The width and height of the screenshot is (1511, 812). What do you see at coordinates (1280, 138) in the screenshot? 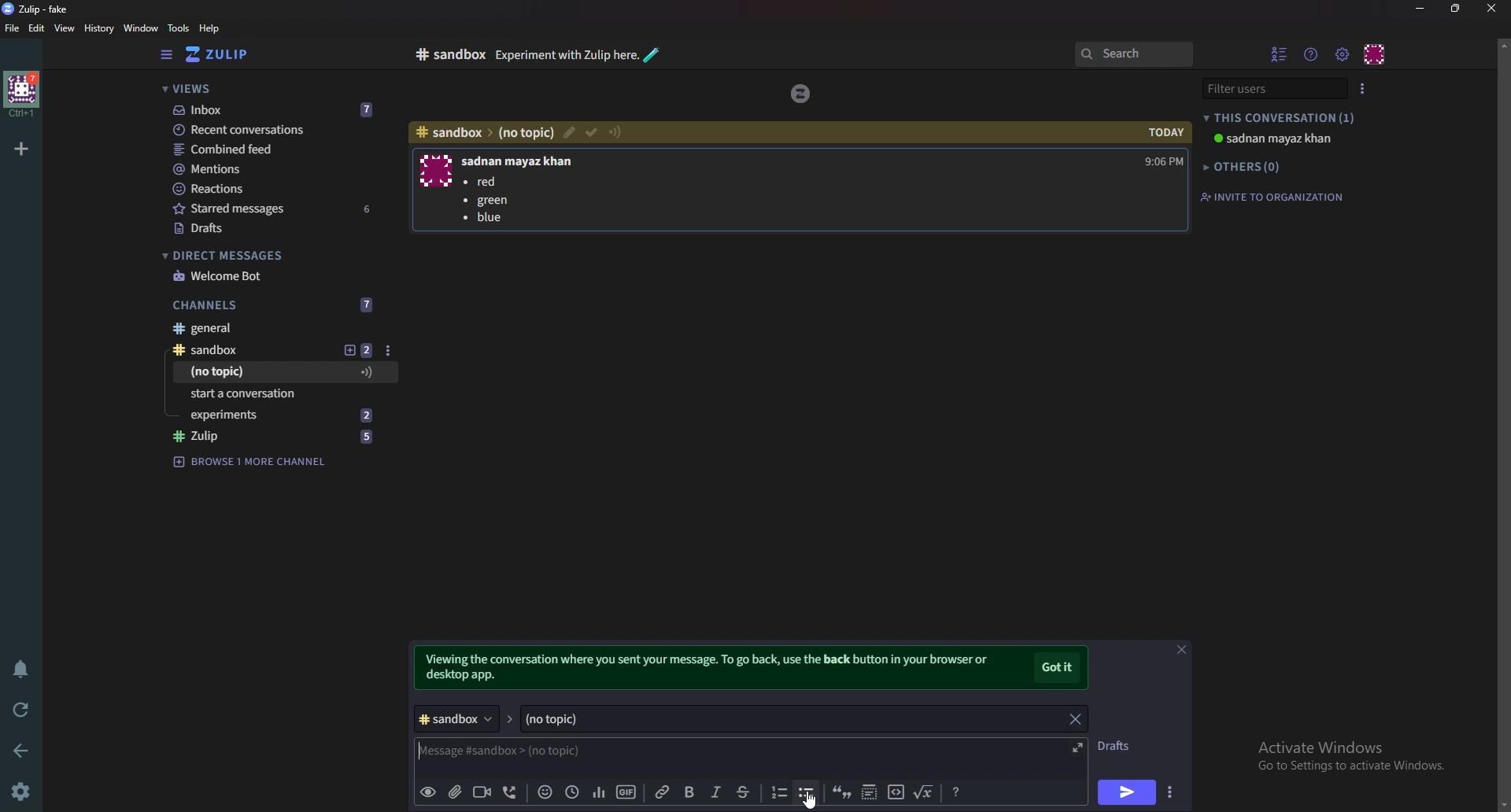
I see `user` at bounding box center [1280, 138].